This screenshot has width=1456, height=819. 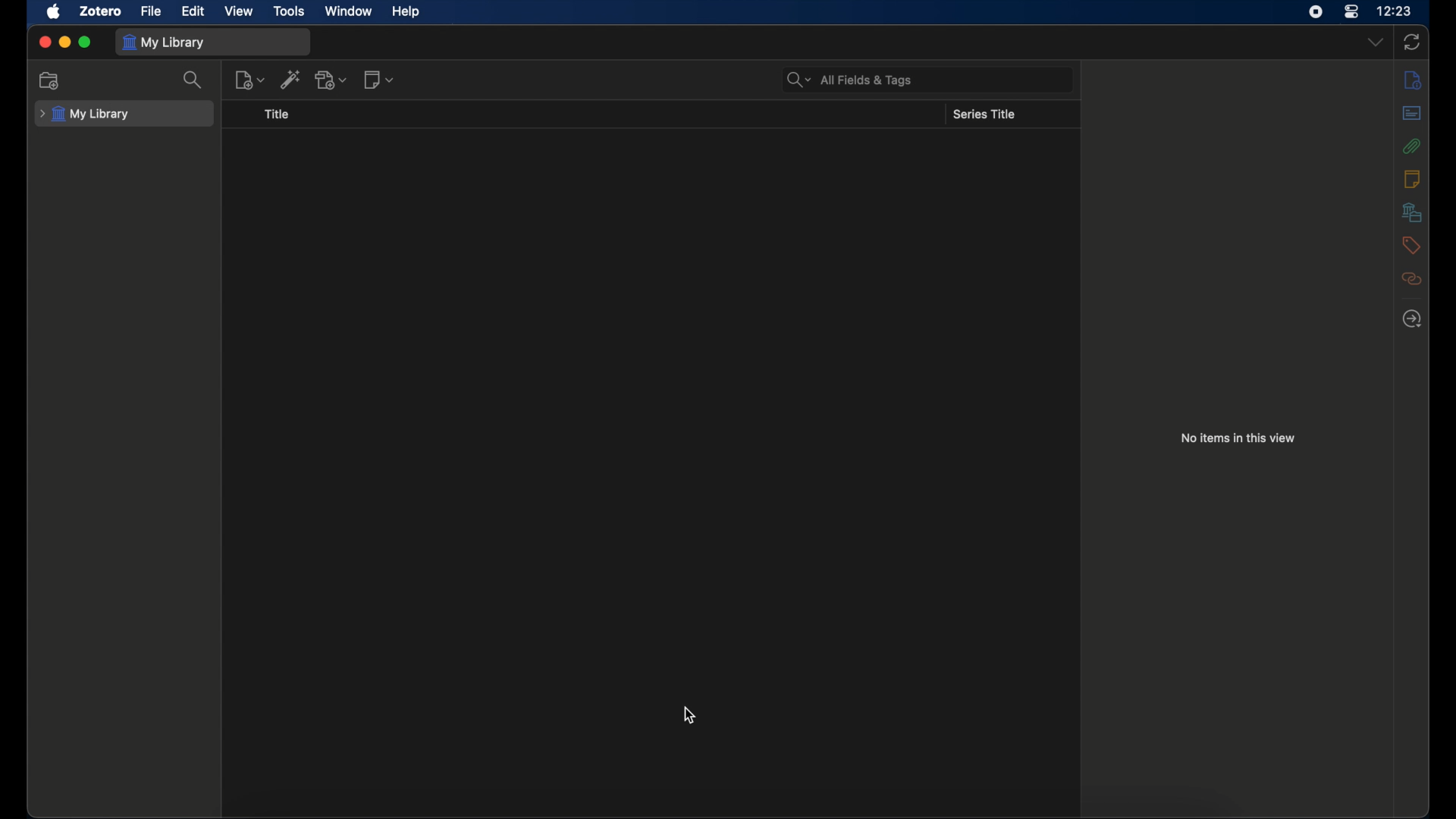 What do you see at coordinates (1414, 80) in the screenshot?
I see `info` at bounding box center [1414, 80].